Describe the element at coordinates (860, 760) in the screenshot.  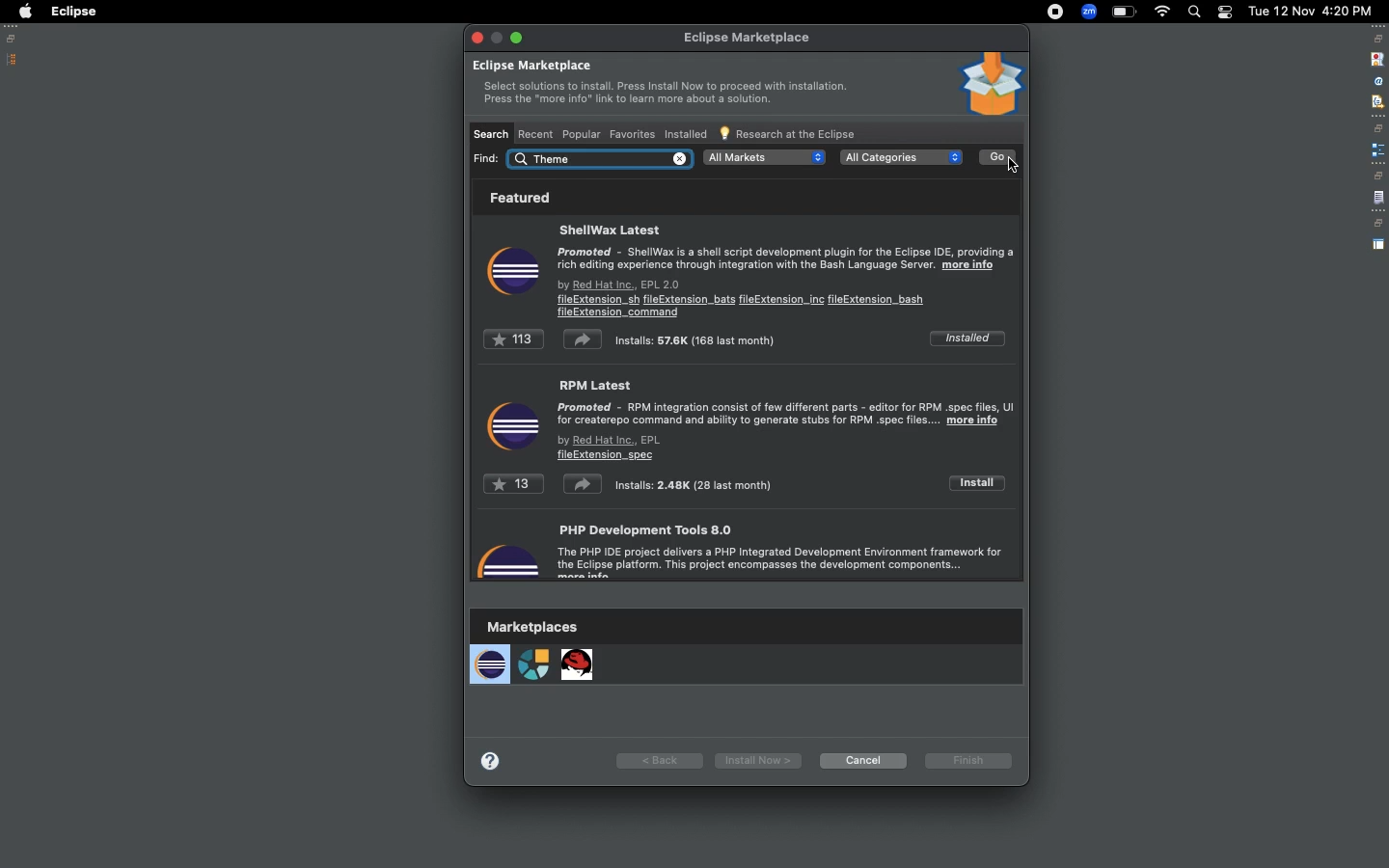
I see `Cancel` at that location.